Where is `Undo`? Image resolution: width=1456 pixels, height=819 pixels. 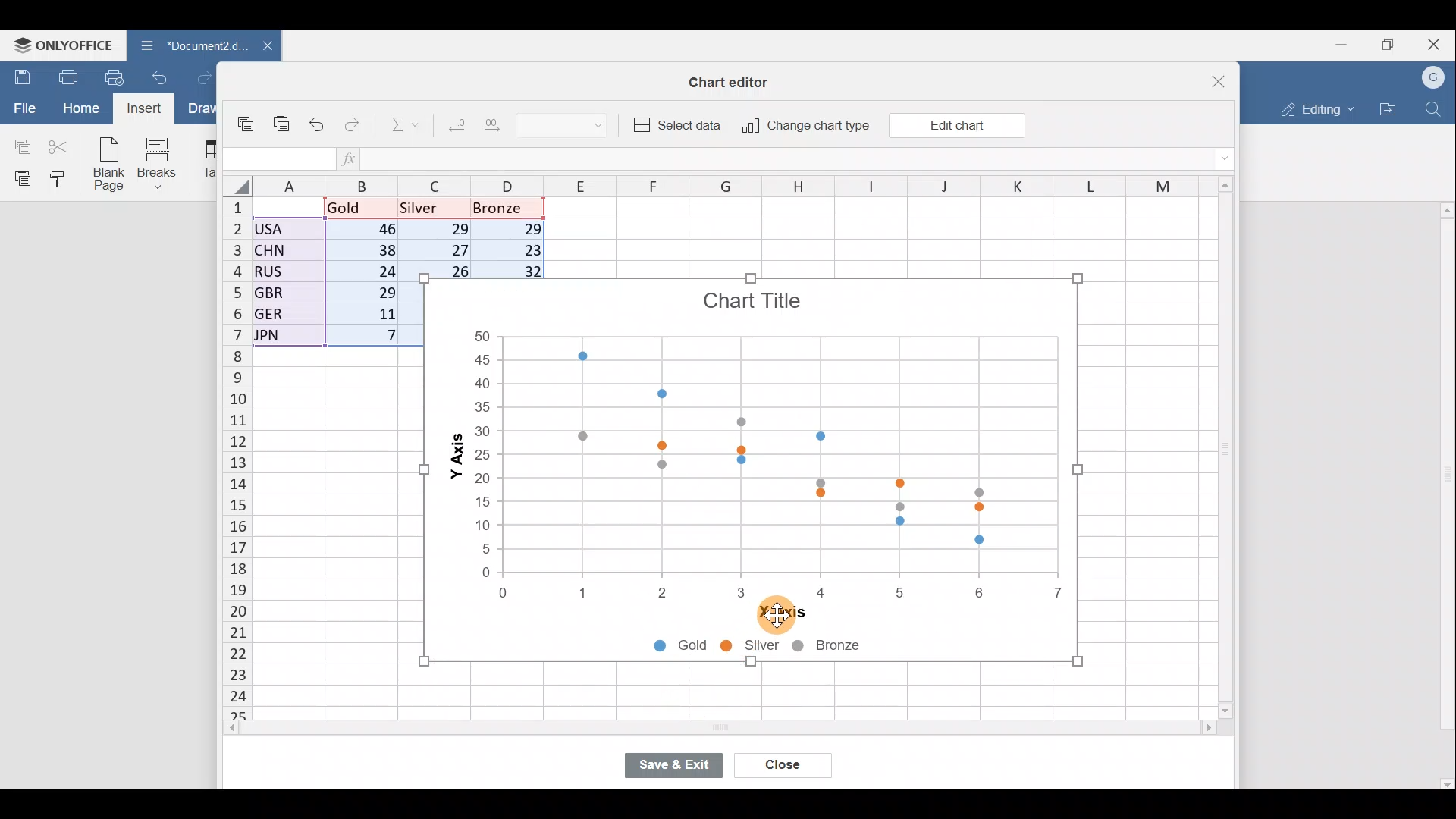 Undo is located at coordinates (164, 76).